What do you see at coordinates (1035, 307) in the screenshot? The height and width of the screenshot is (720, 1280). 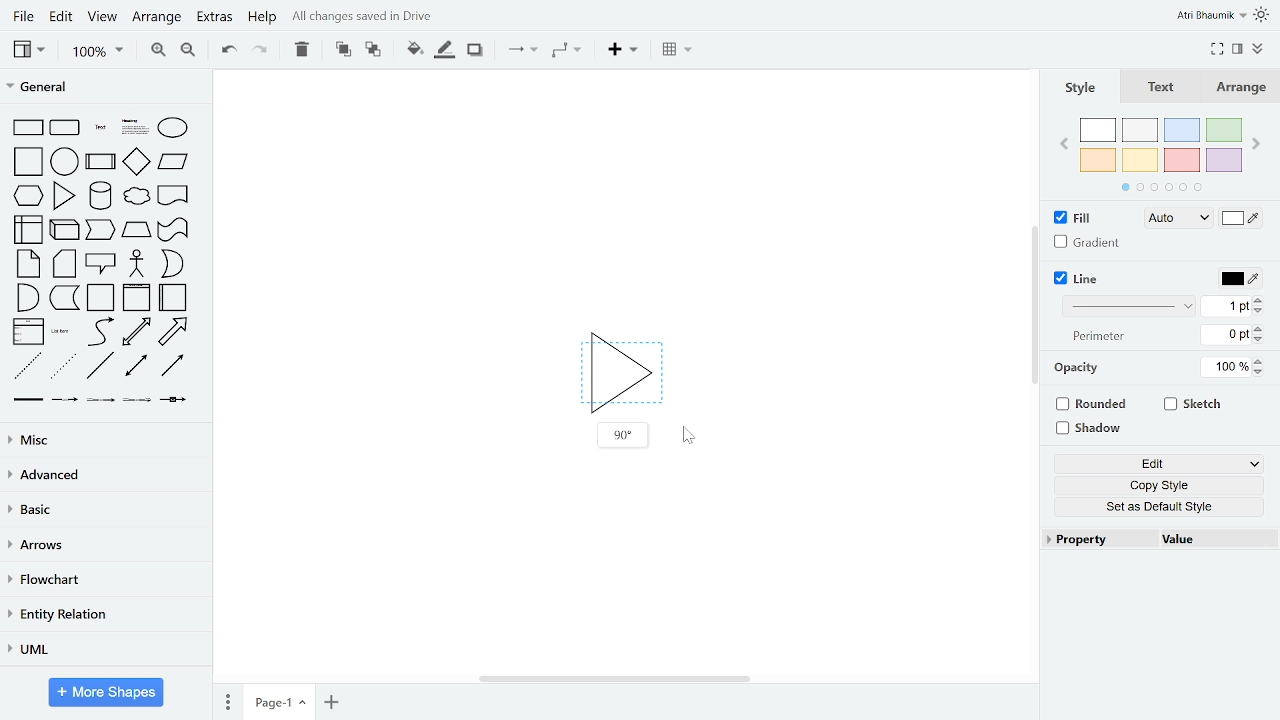 I see `vertical scrollbar` at bounding box center [1035, 307].